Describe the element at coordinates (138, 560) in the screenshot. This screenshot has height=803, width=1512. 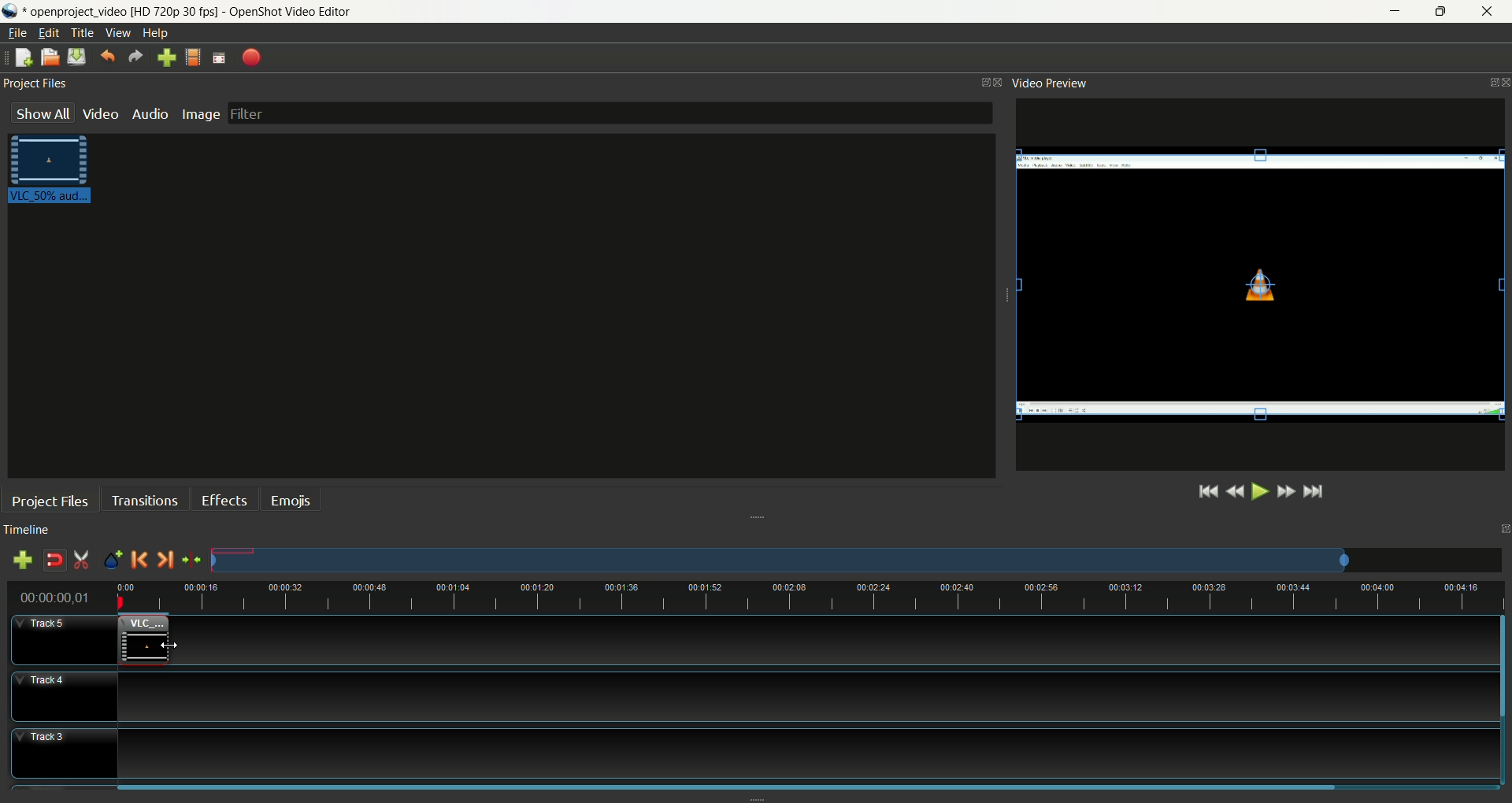
I see `previous marker` at that location.